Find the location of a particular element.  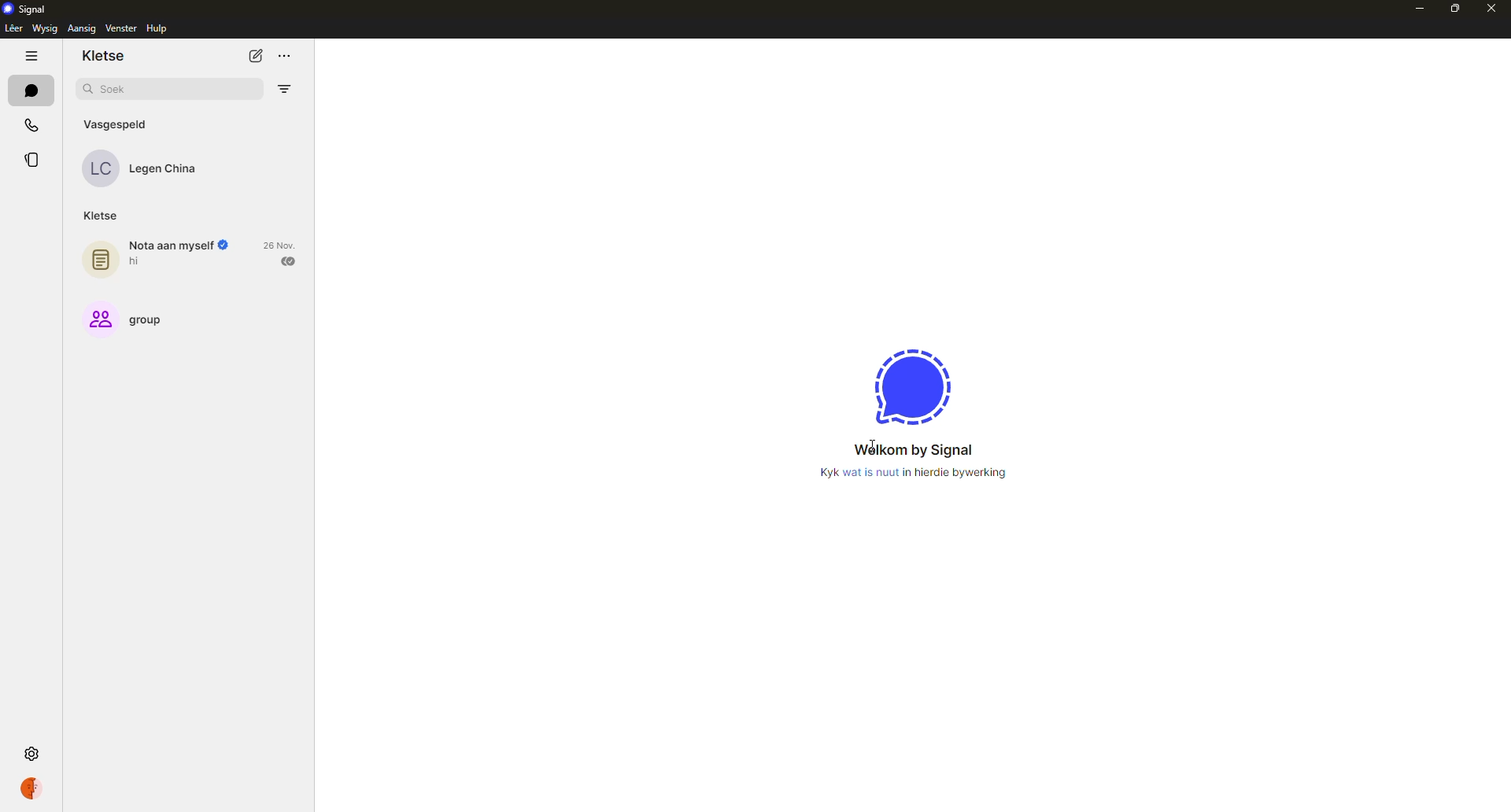

maximize is located at coordinates (1452, 9).